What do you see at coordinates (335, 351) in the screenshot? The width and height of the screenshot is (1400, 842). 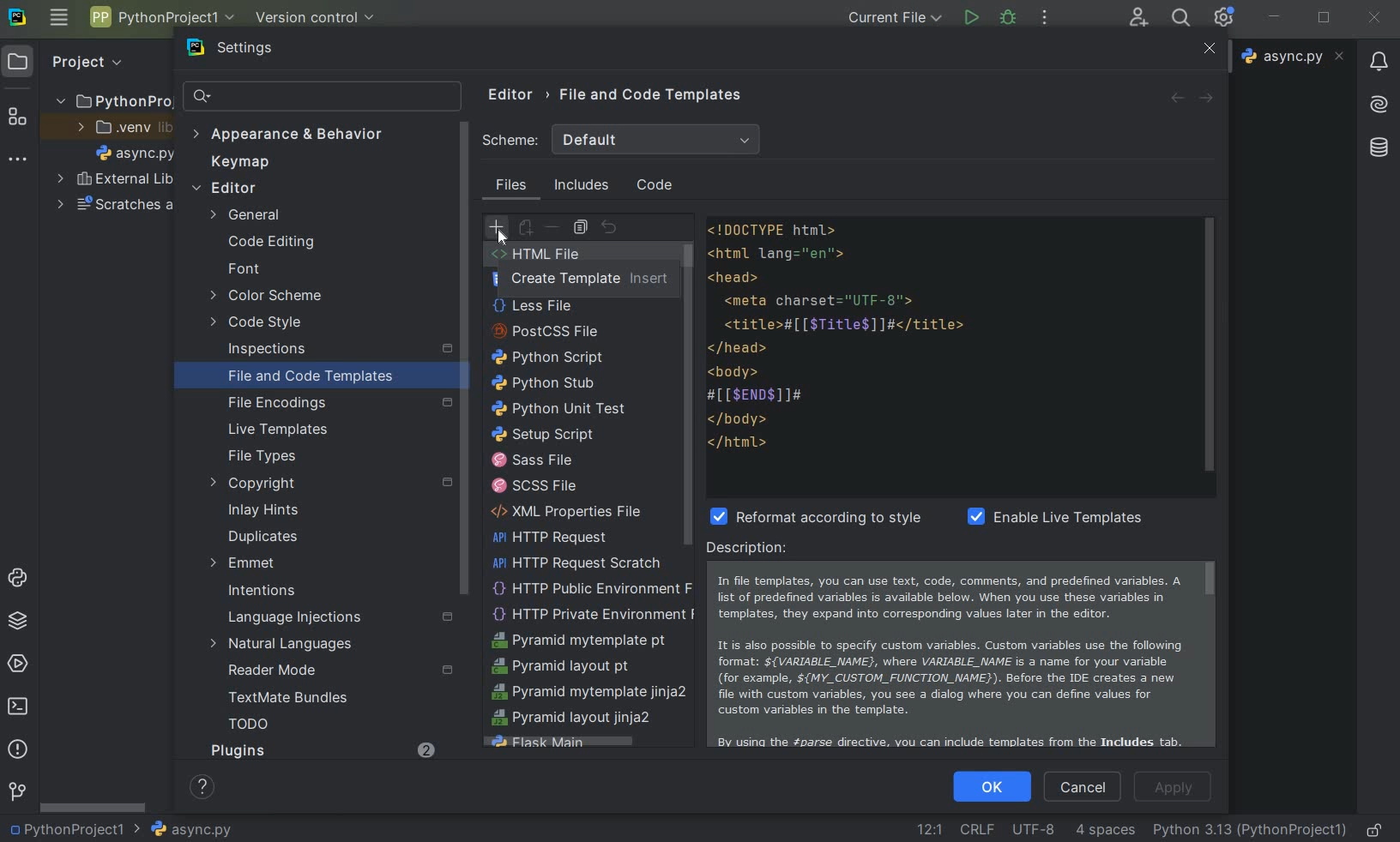 I see `inspections` at bounding box center [335, 351].